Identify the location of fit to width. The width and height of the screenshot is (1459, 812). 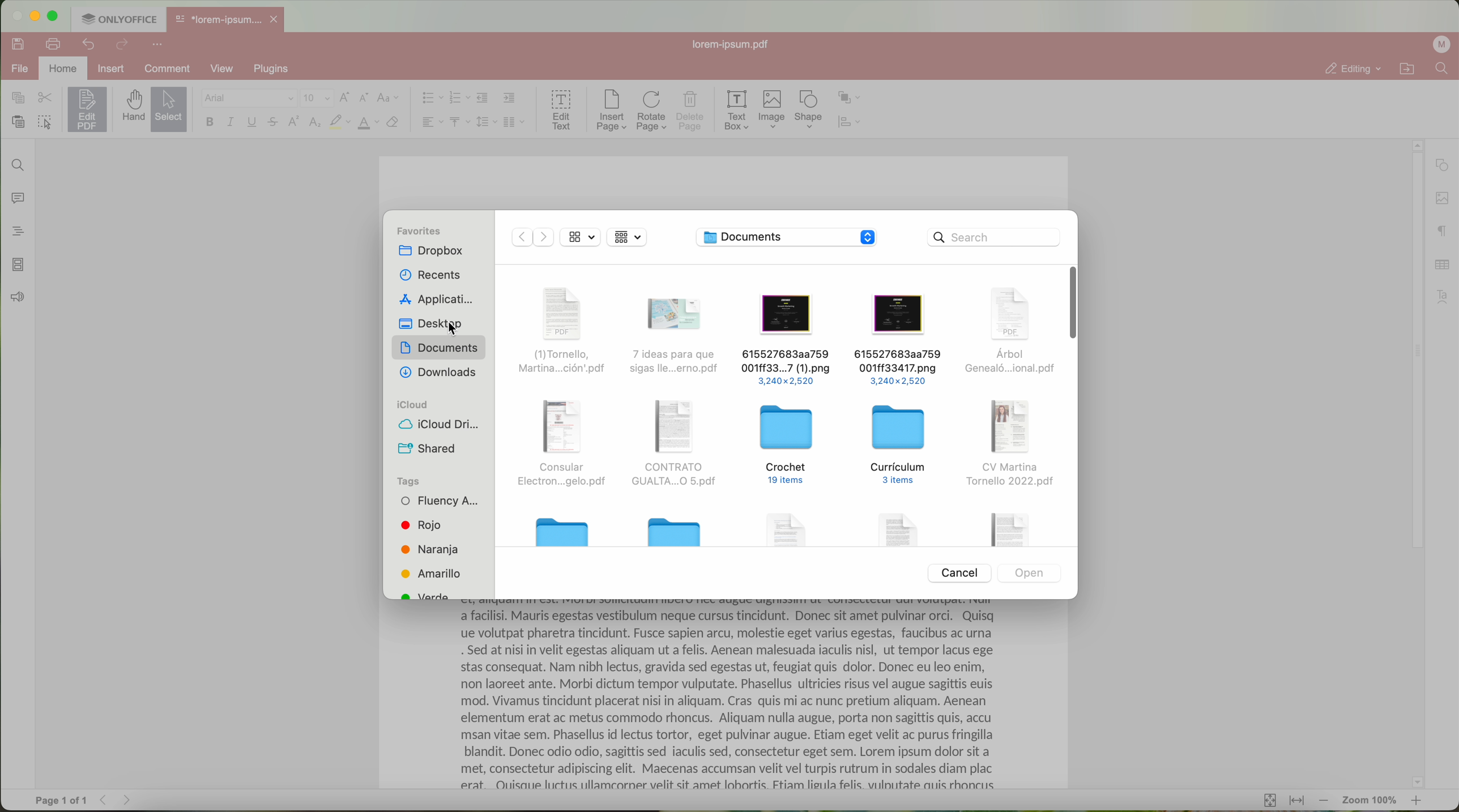
(1296, 801).